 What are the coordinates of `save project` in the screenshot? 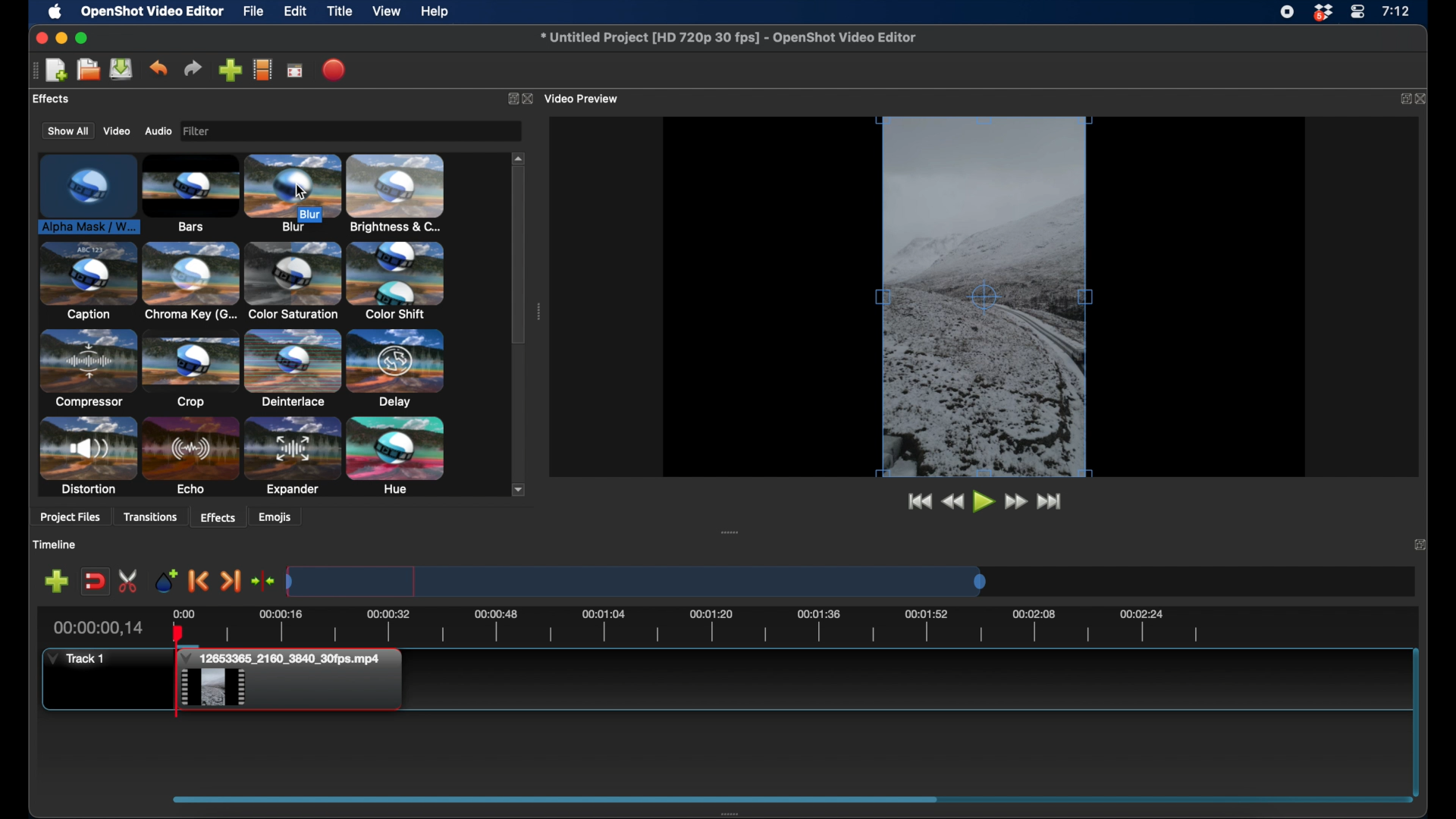 It's located at (121, 69).